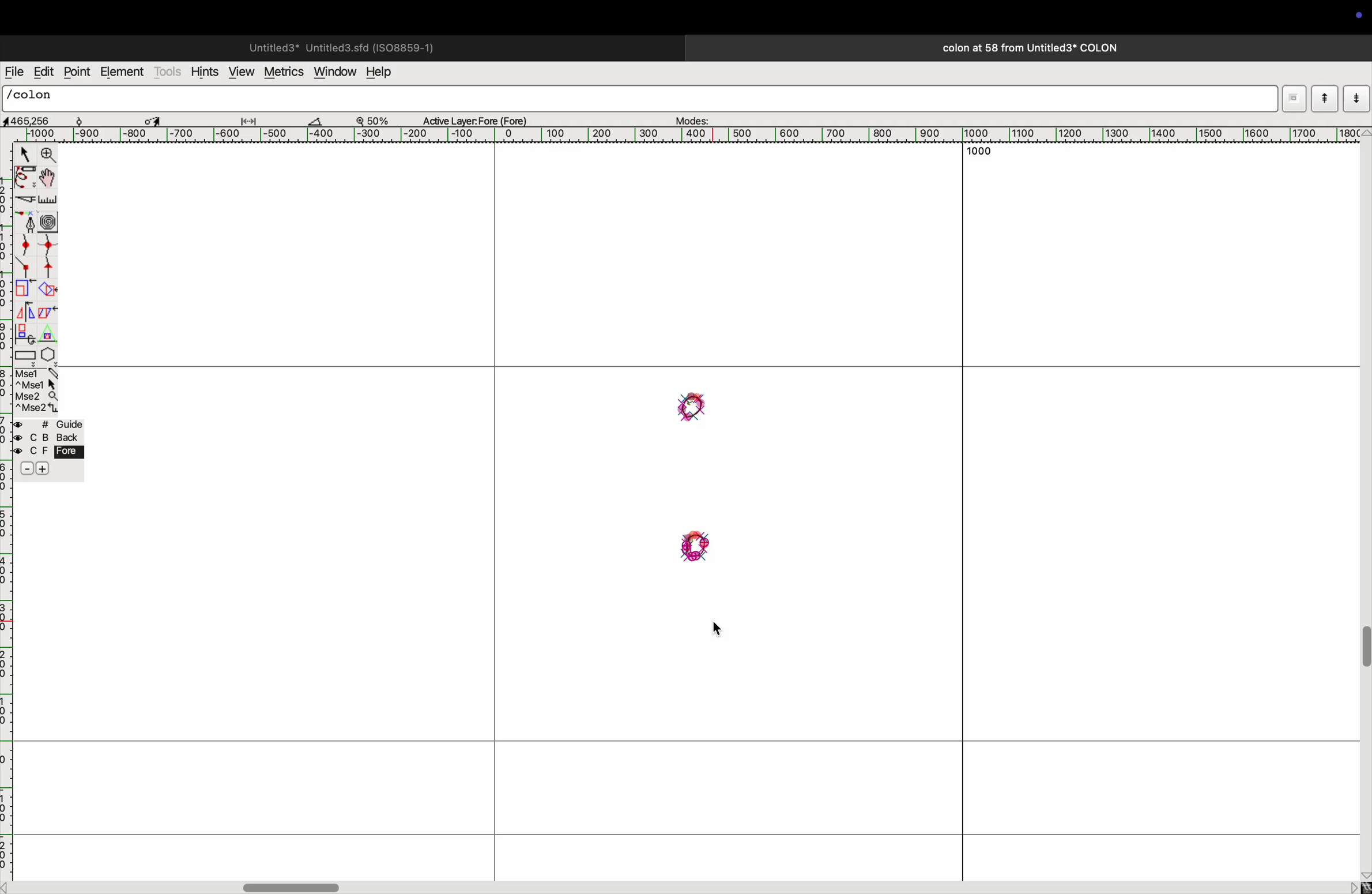  Describe the element at coordinates (205, 70) in the screenshot. I see `hints` at that location.